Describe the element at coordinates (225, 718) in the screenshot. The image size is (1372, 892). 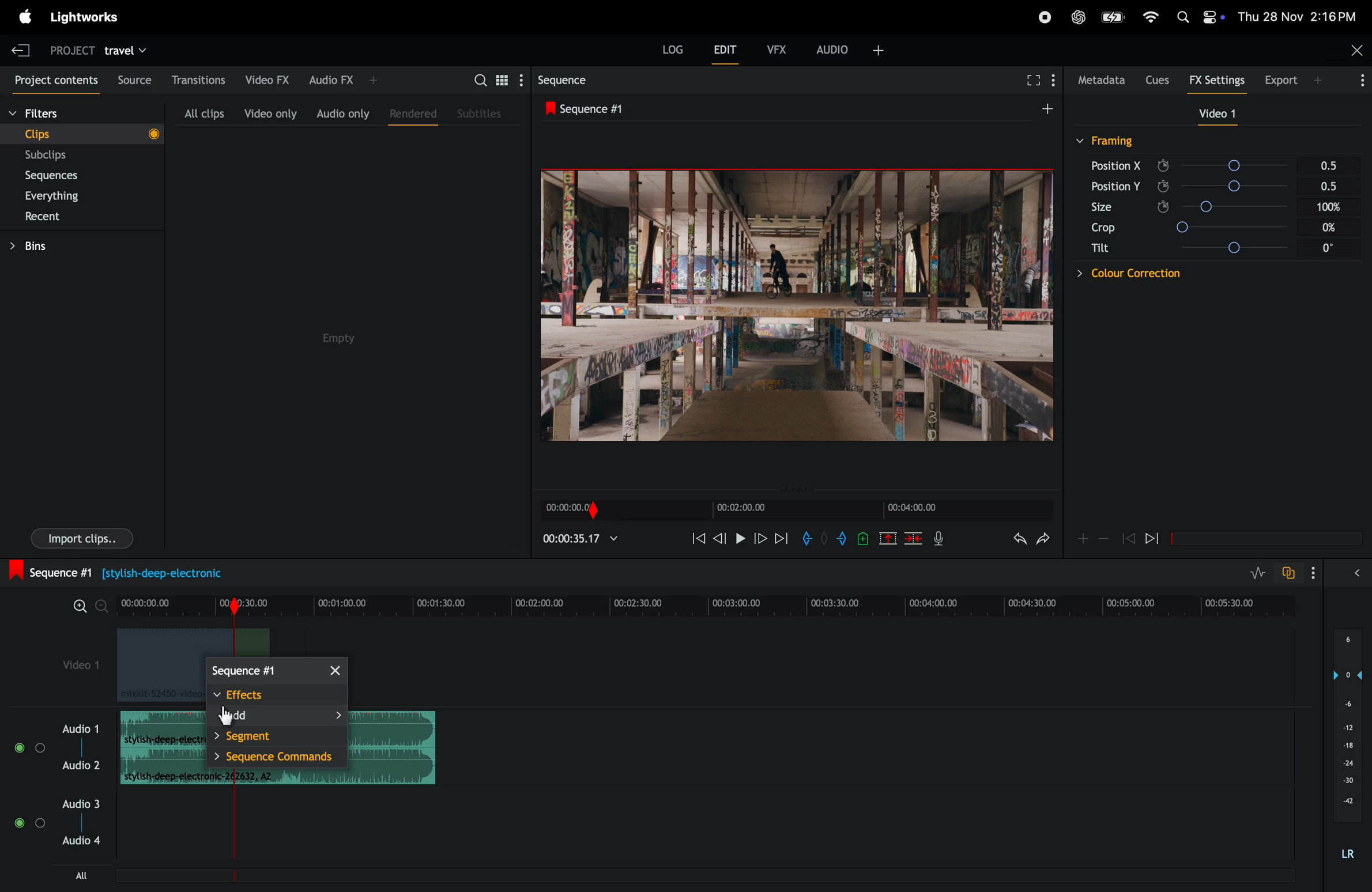
I see `cursor` at that location.